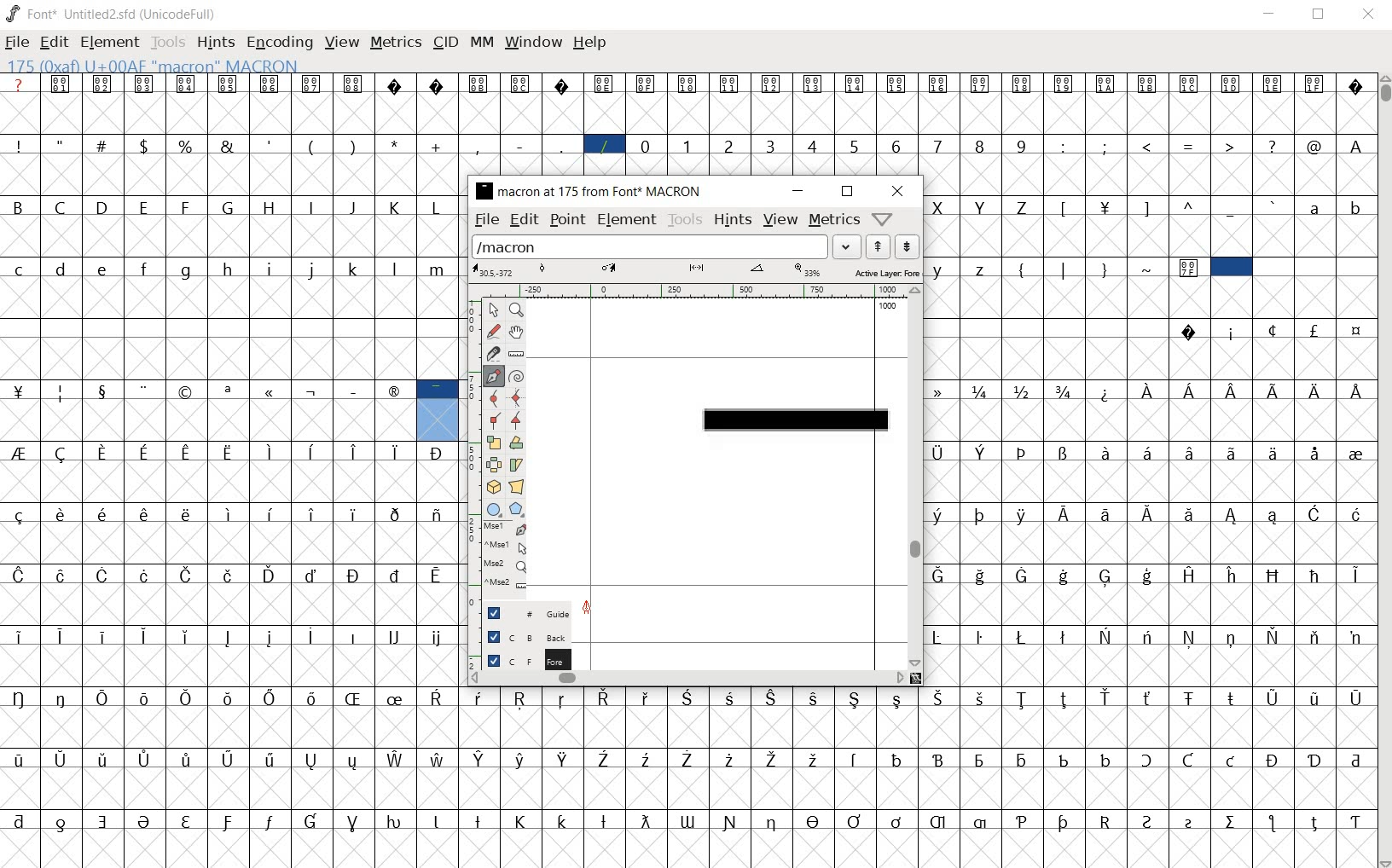 This screenshot has width=1392, height=868. What do you see at coordinates (518, 509) in the screenshot?
I see `polygon/star` at bounding box center [518, 509].